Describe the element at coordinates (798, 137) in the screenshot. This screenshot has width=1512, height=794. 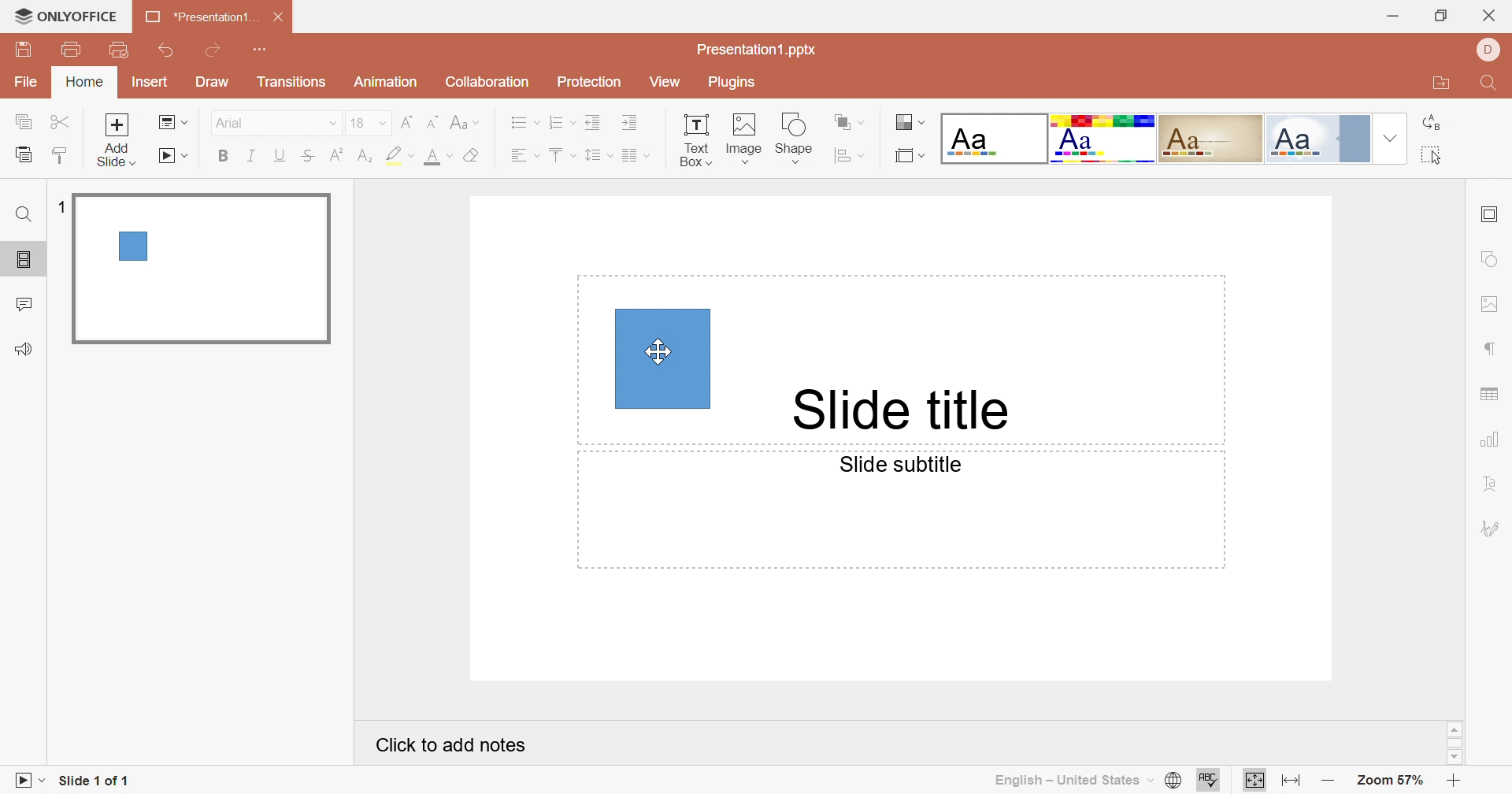
I see `Shapes` at that location.